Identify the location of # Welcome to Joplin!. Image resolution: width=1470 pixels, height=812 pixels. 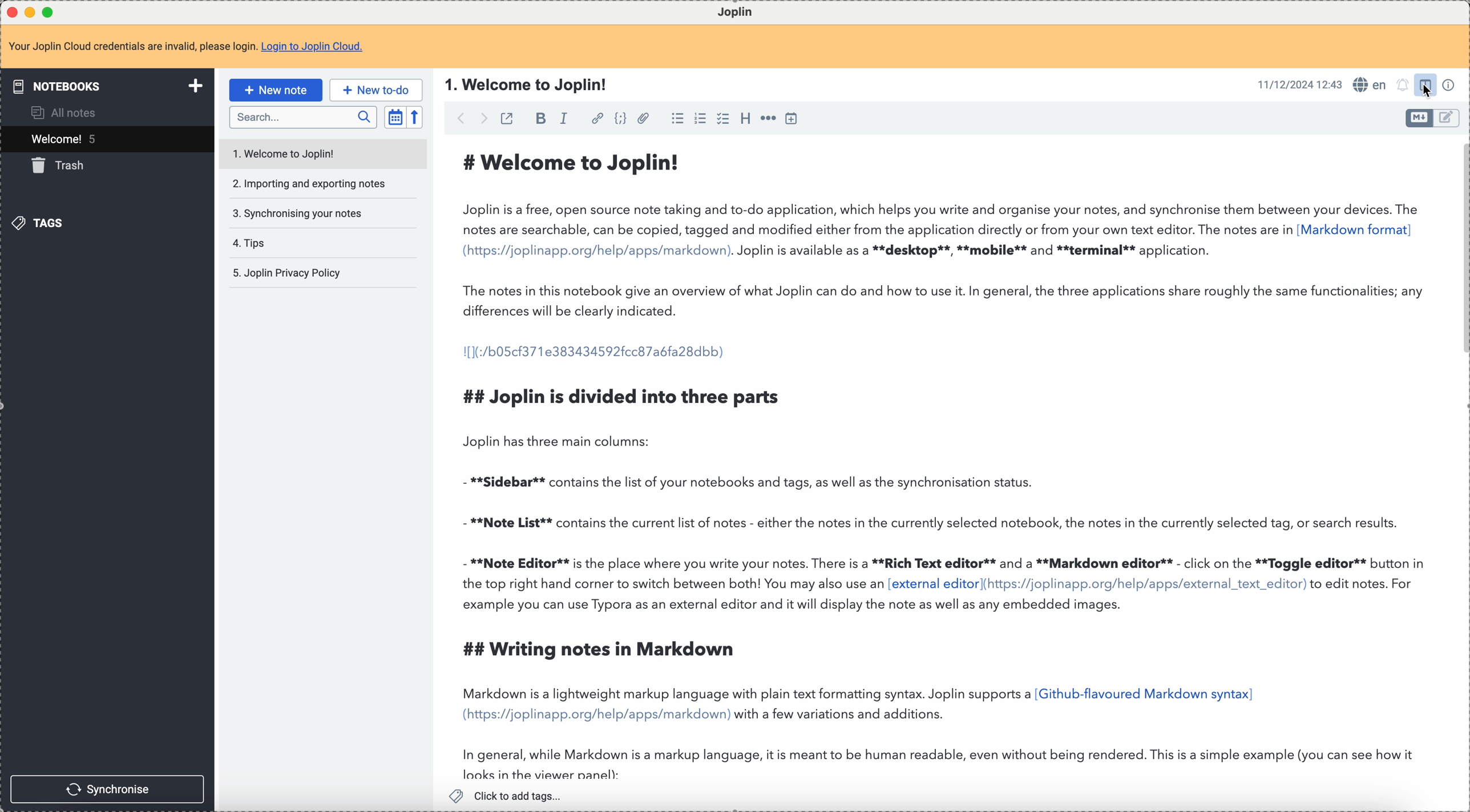
(575, 164).